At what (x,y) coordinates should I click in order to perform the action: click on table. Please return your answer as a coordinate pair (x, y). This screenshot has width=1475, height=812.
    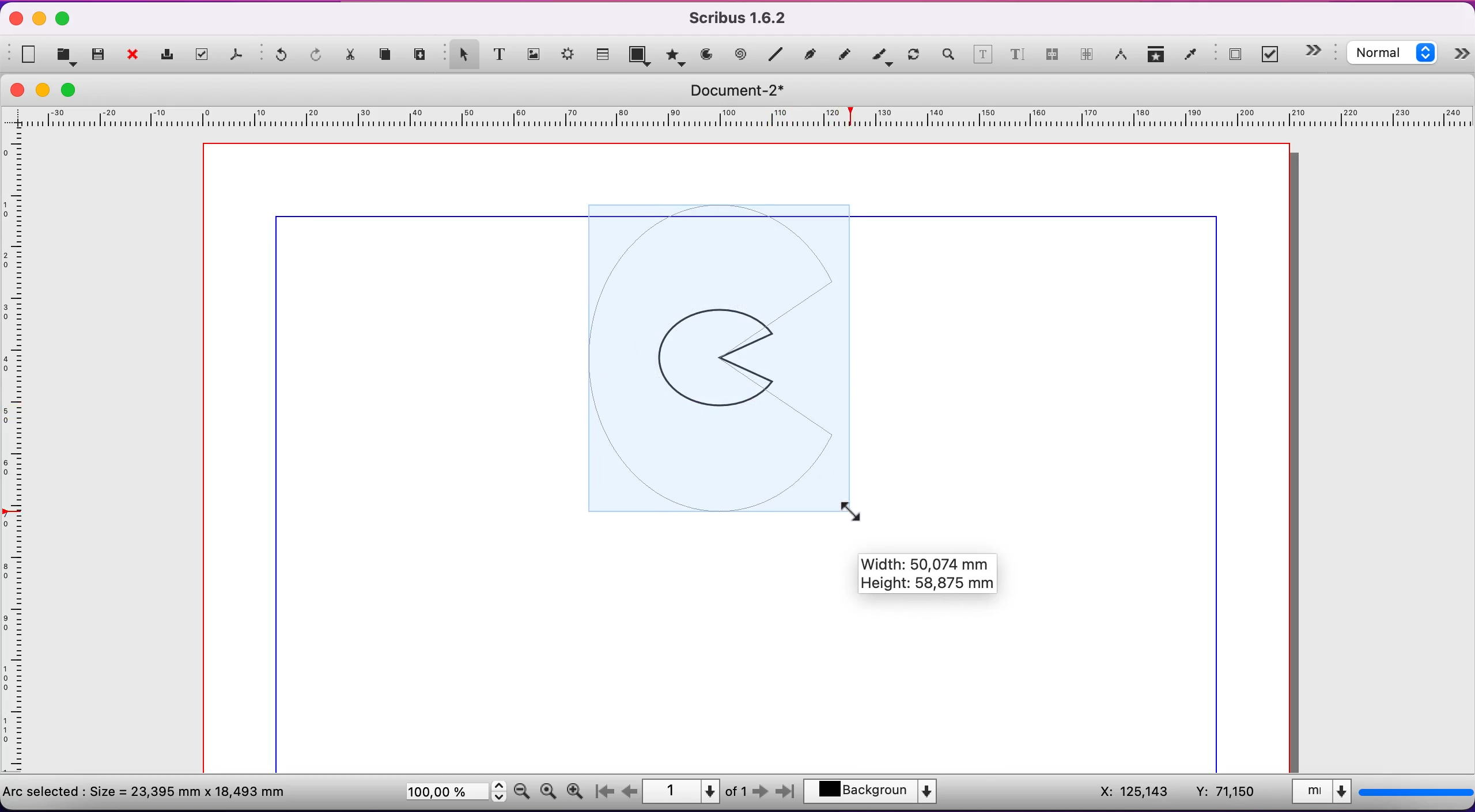
    Looking at the image, I should click on (604, 52).